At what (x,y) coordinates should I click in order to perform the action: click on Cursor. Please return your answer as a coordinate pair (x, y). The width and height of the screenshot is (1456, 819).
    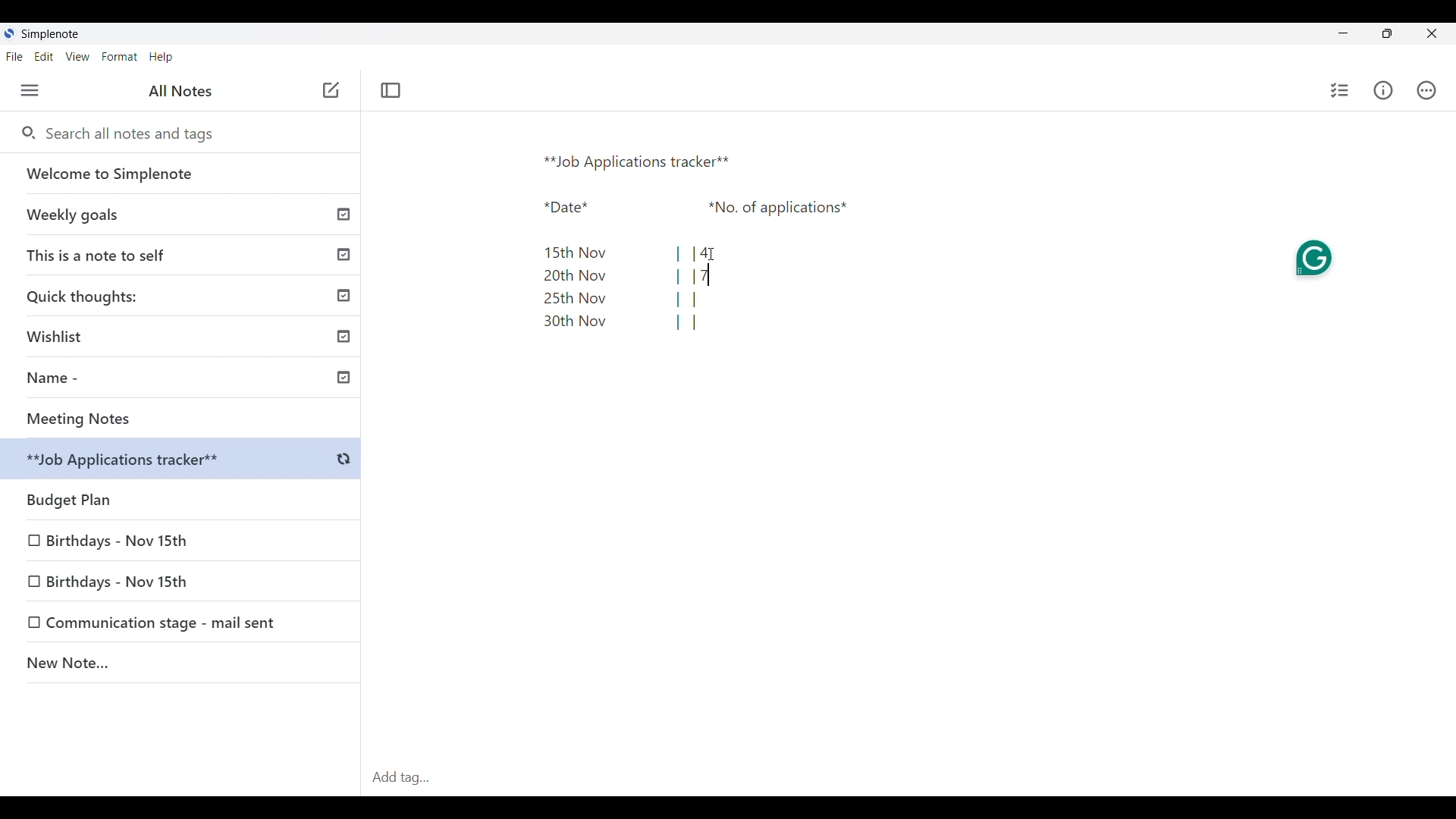
    Looking at the image, I should click on (713, 253).